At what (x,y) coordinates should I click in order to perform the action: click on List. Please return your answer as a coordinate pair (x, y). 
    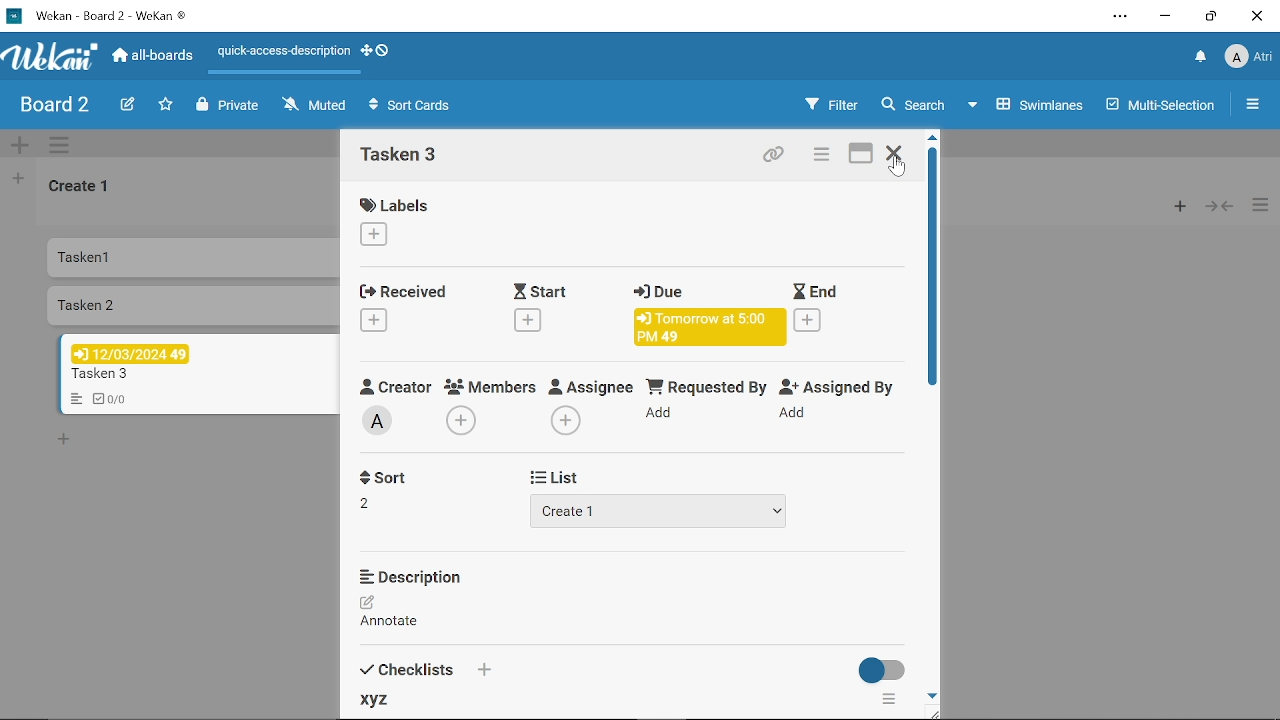
    Looking at the image, I should click on (561, 475).